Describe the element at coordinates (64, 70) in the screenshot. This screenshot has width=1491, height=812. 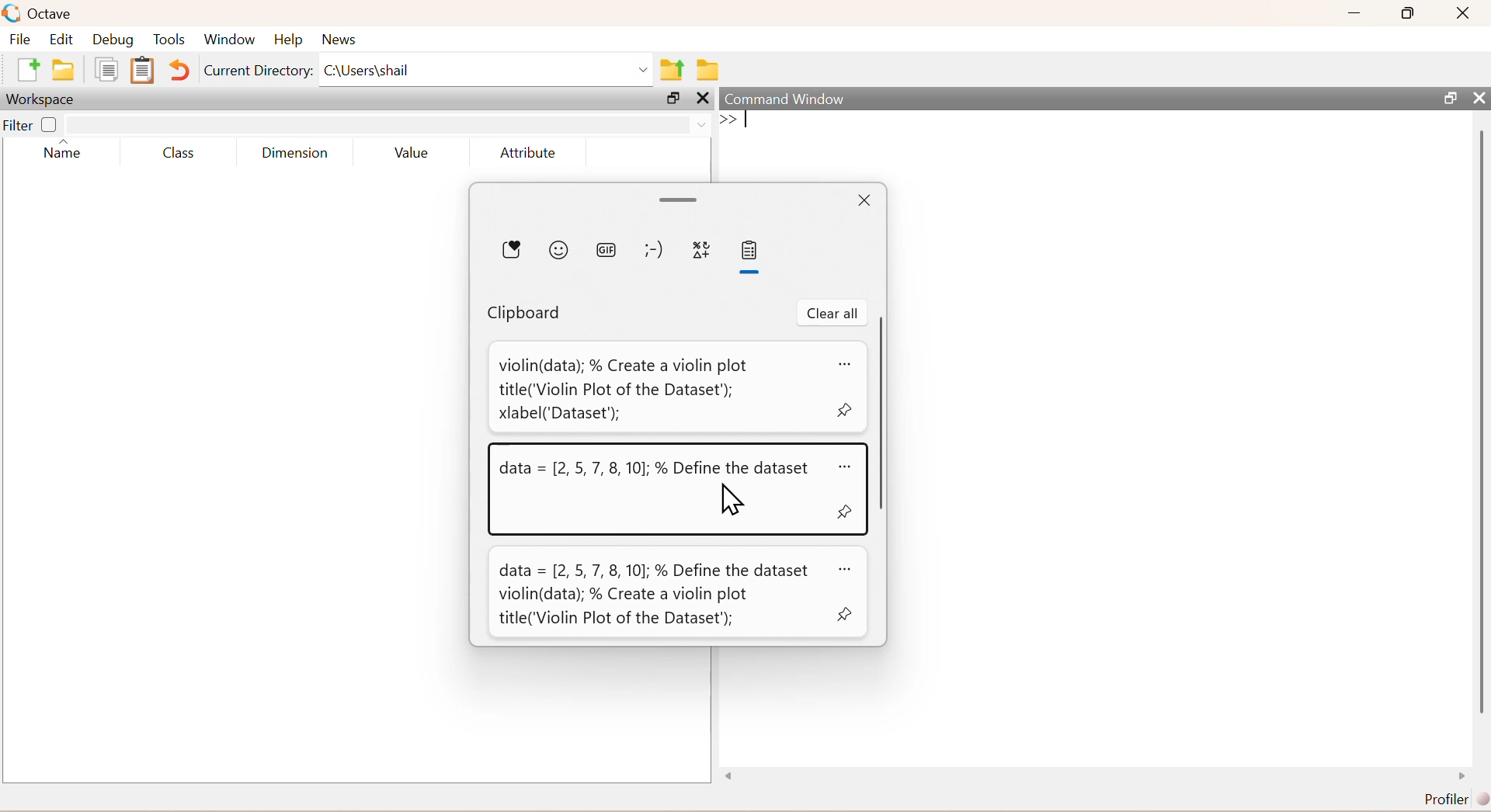
I see `folder` at that location.